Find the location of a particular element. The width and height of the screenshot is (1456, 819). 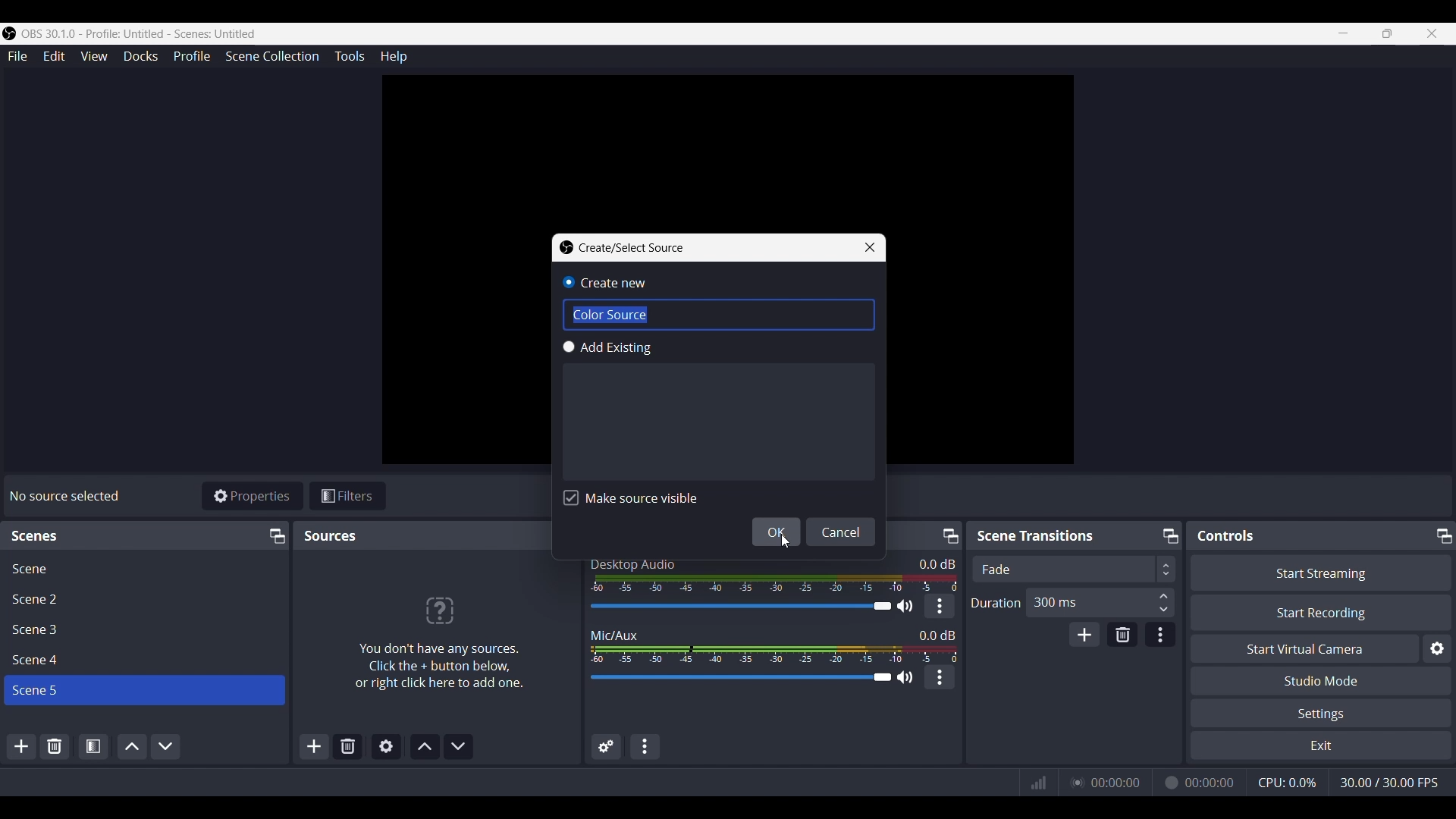

Mark source visible is located at coordinates (630, 499).